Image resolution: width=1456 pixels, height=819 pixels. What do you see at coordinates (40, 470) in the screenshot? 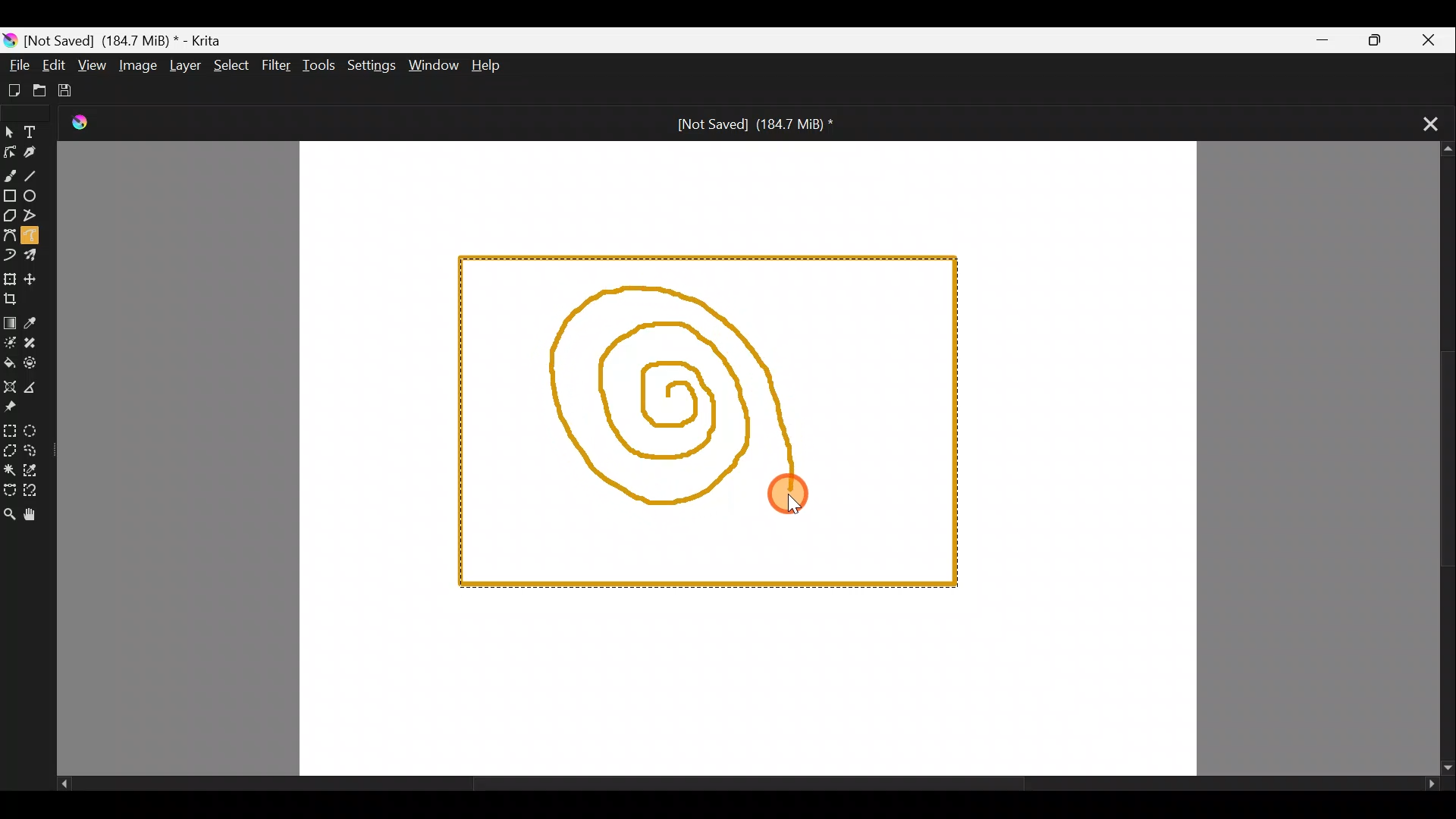
I see `Similar colour selection tool` at bounding box center [40, 470].